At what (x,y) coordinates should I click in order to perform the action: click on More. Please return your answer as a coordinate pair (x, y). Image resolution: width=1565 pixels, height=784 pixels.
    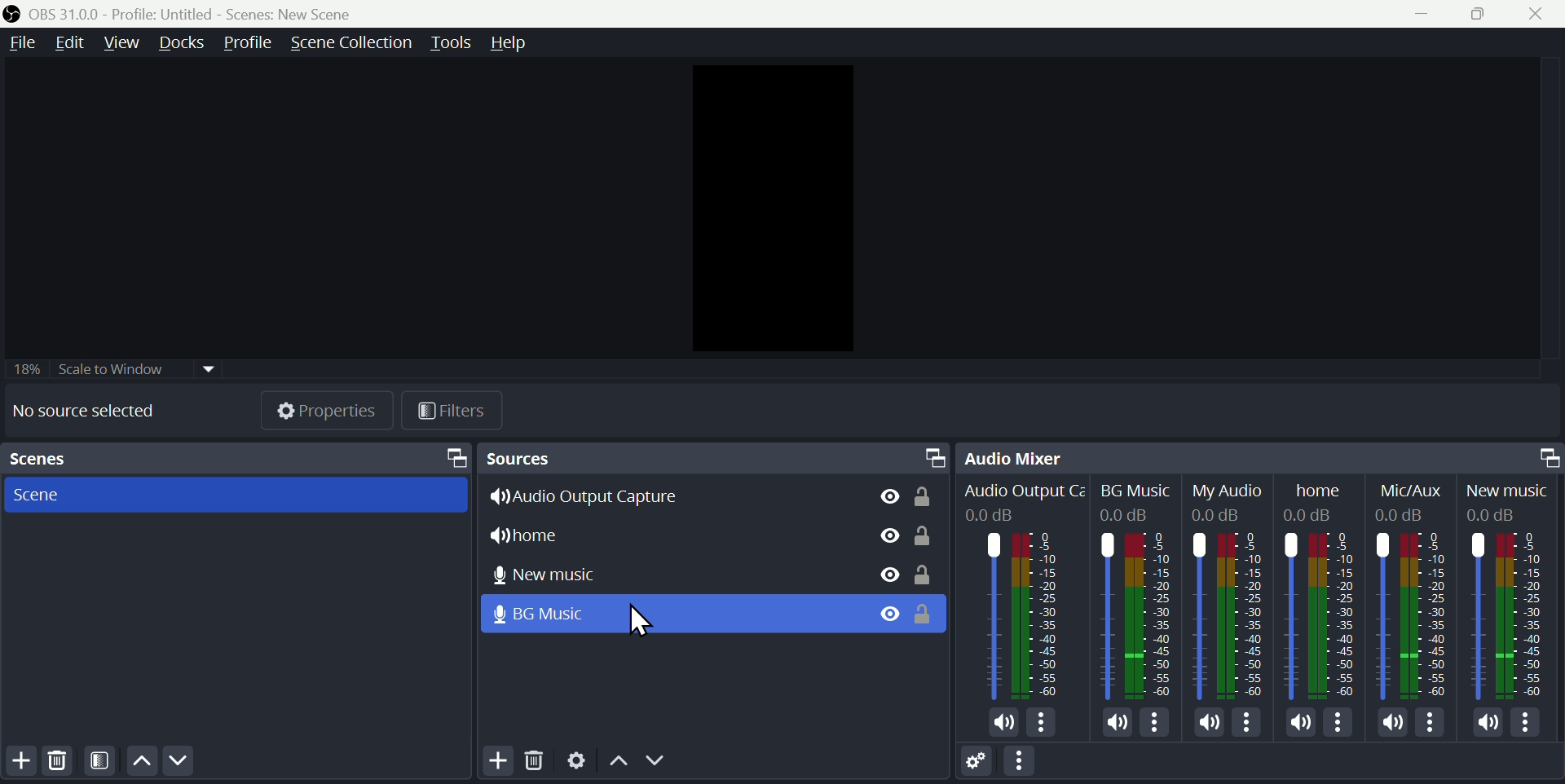
    Looking at the image, I should click on (1436, 726).